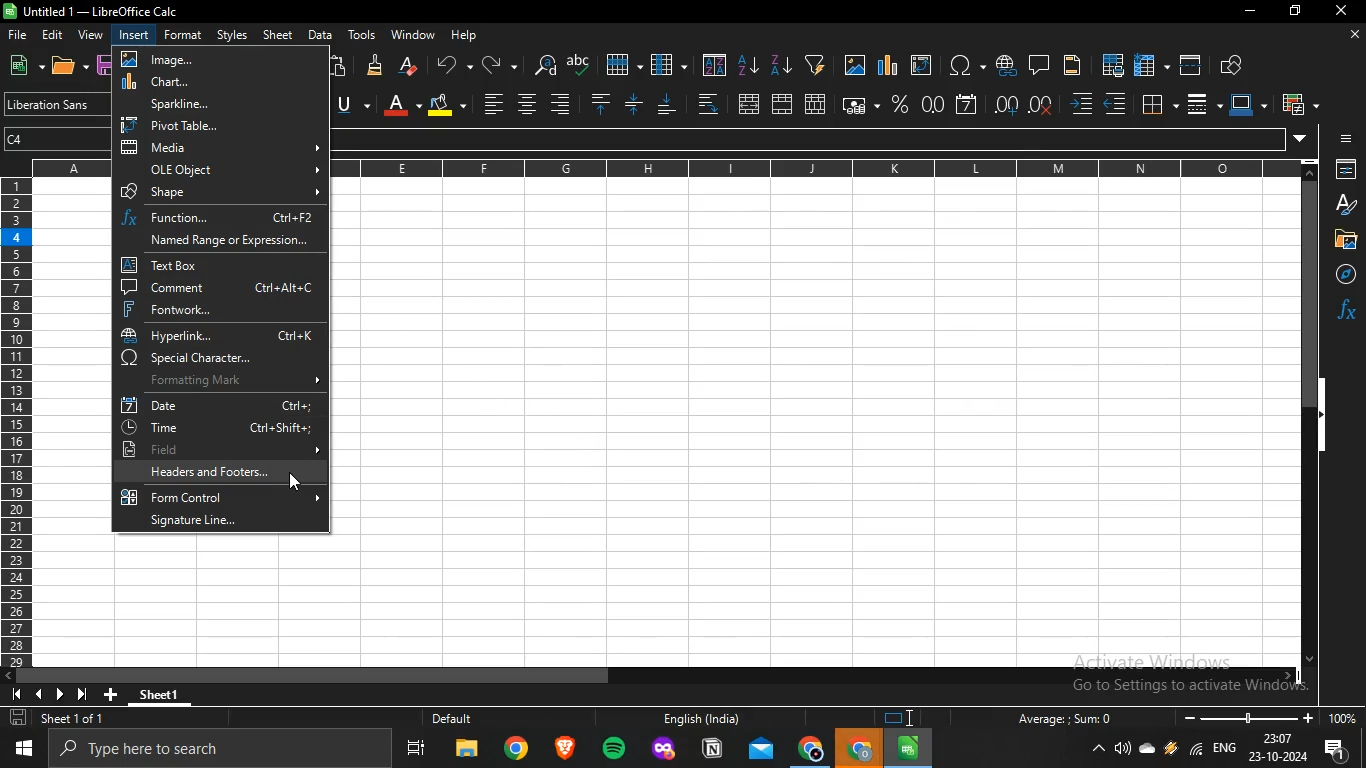 The width and height of the screenshot is (1366, 768). Describe the element at coordinates (295, 481) in the screenshot. I see `cursor` at that location.